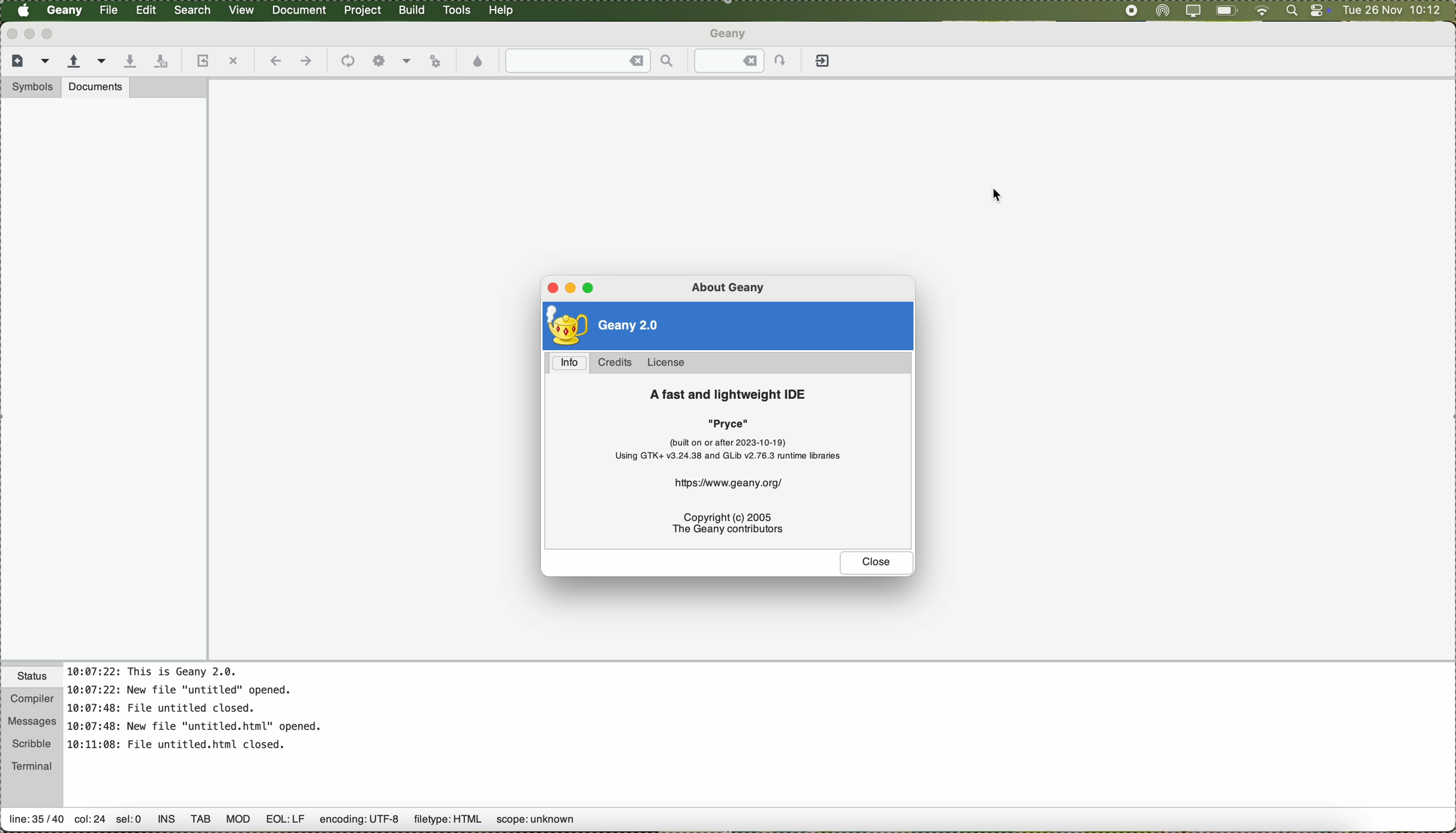  What do you see at coordinates (31, 87) in the screenshot?
I see `symbols` at bounding box center [31, 87].